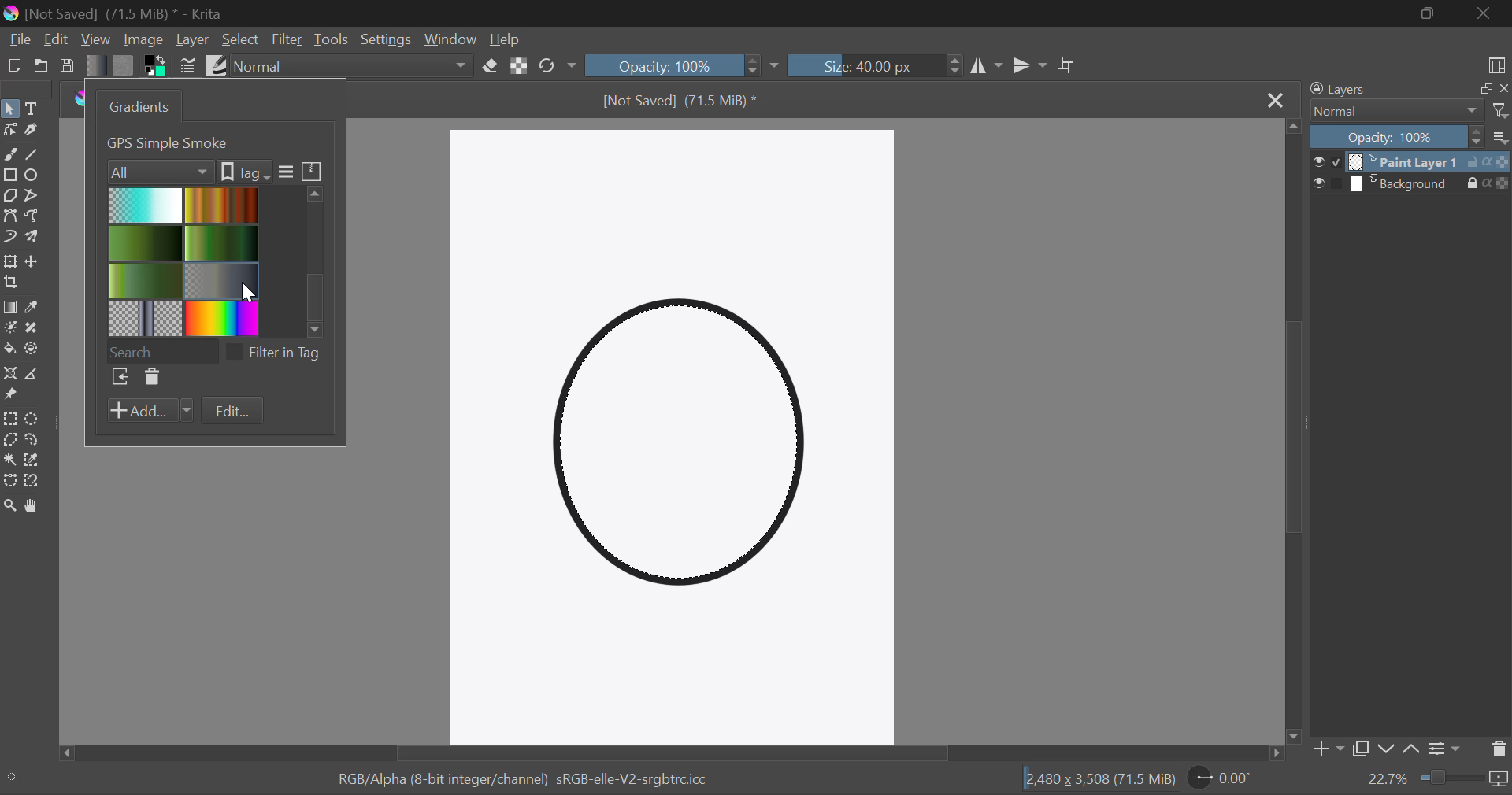  What do you see at coordinates (35, 264) in the screenshot?
I see `Move Layers` at bounding box center [35, 264].